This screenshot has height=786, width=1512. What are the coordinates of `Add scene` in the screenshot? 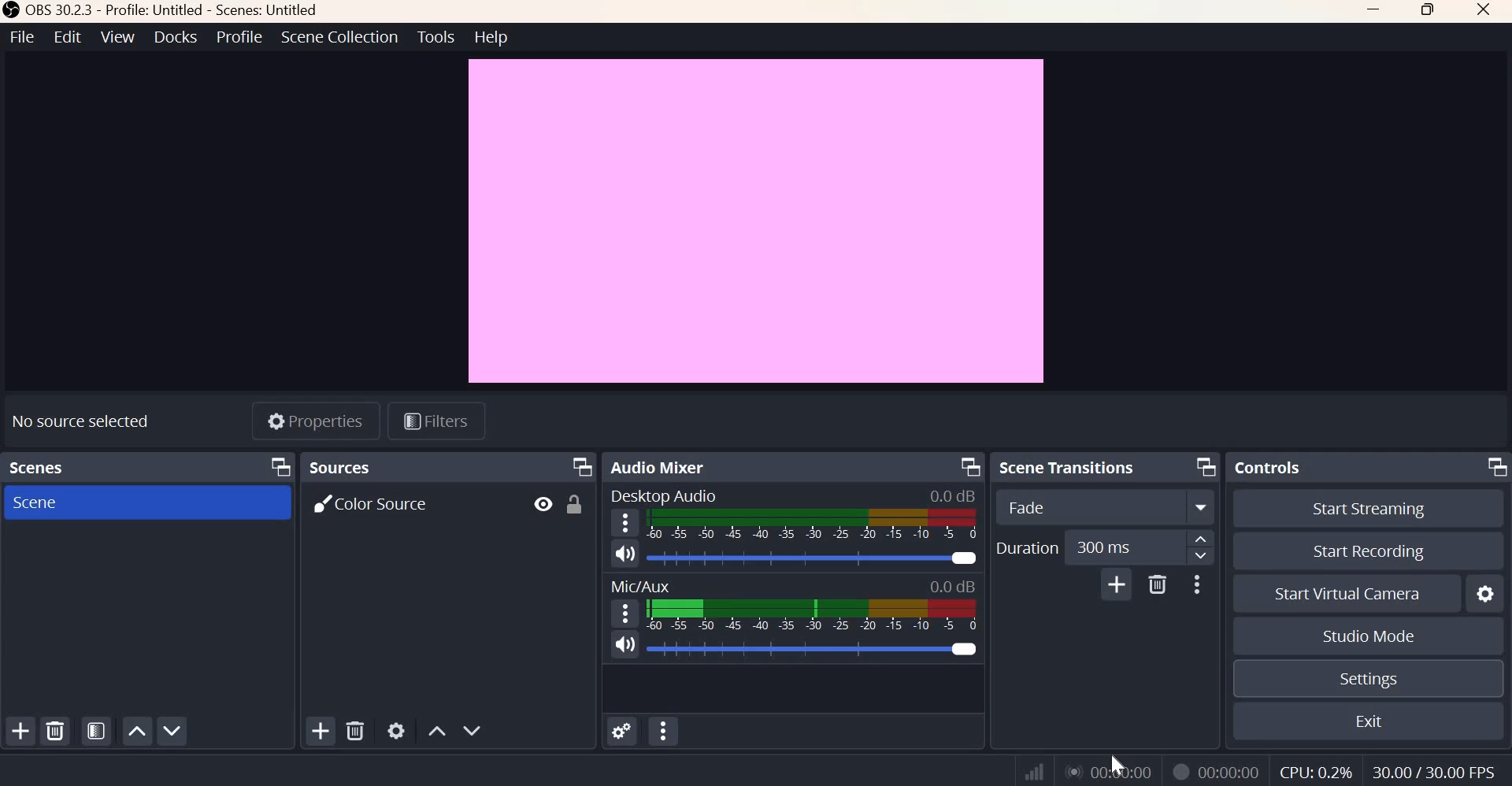 It's located at (21, 732).